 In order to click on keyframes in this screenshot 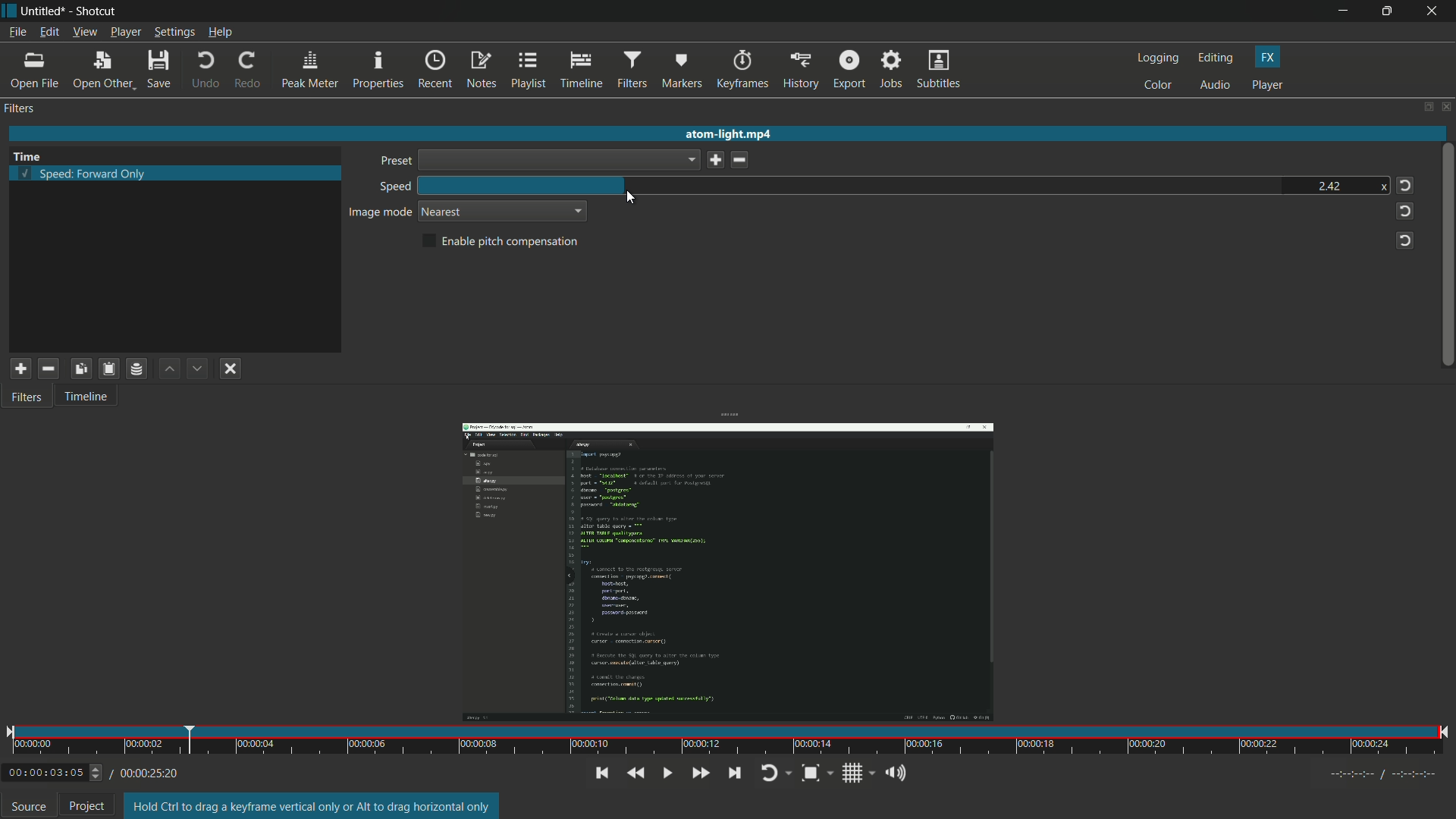, I will do `click(743, 69)`.